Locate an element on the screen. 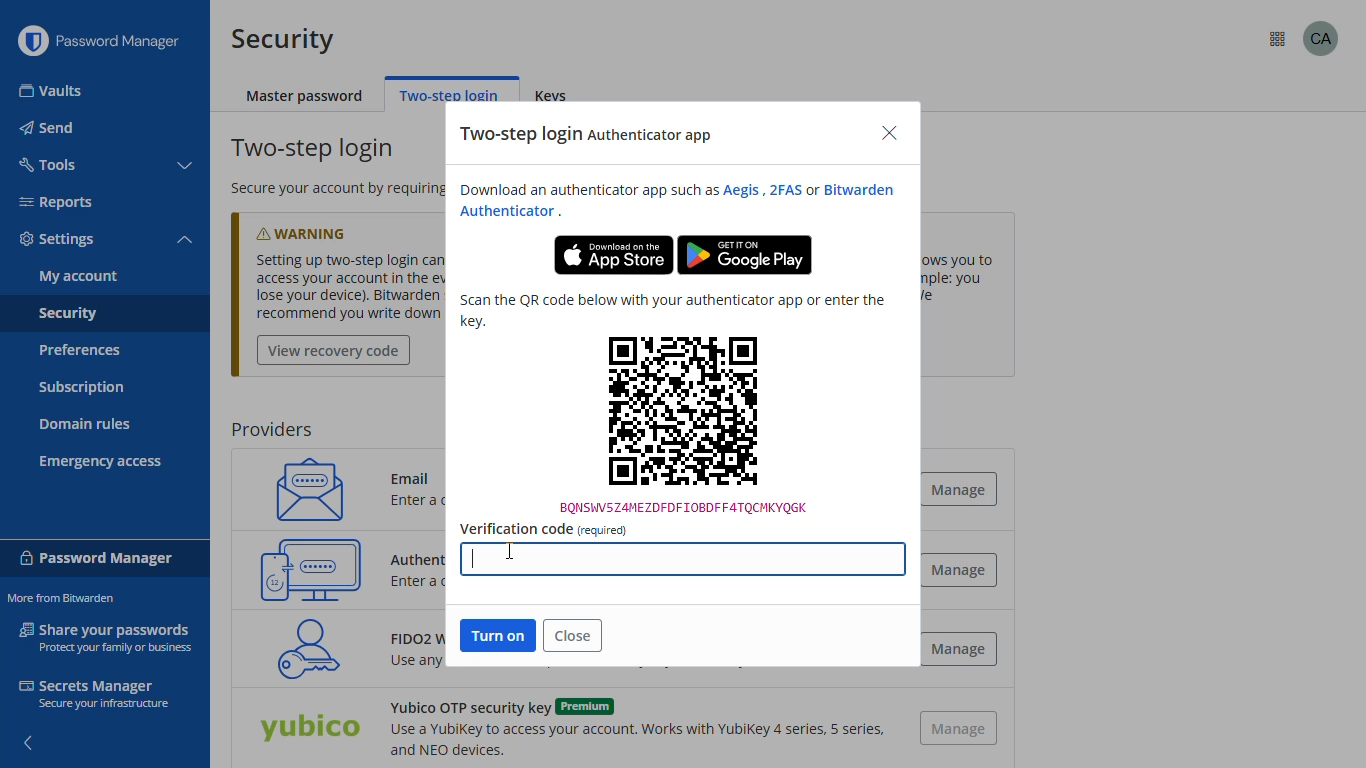  security is located at coordinates (283, 39).